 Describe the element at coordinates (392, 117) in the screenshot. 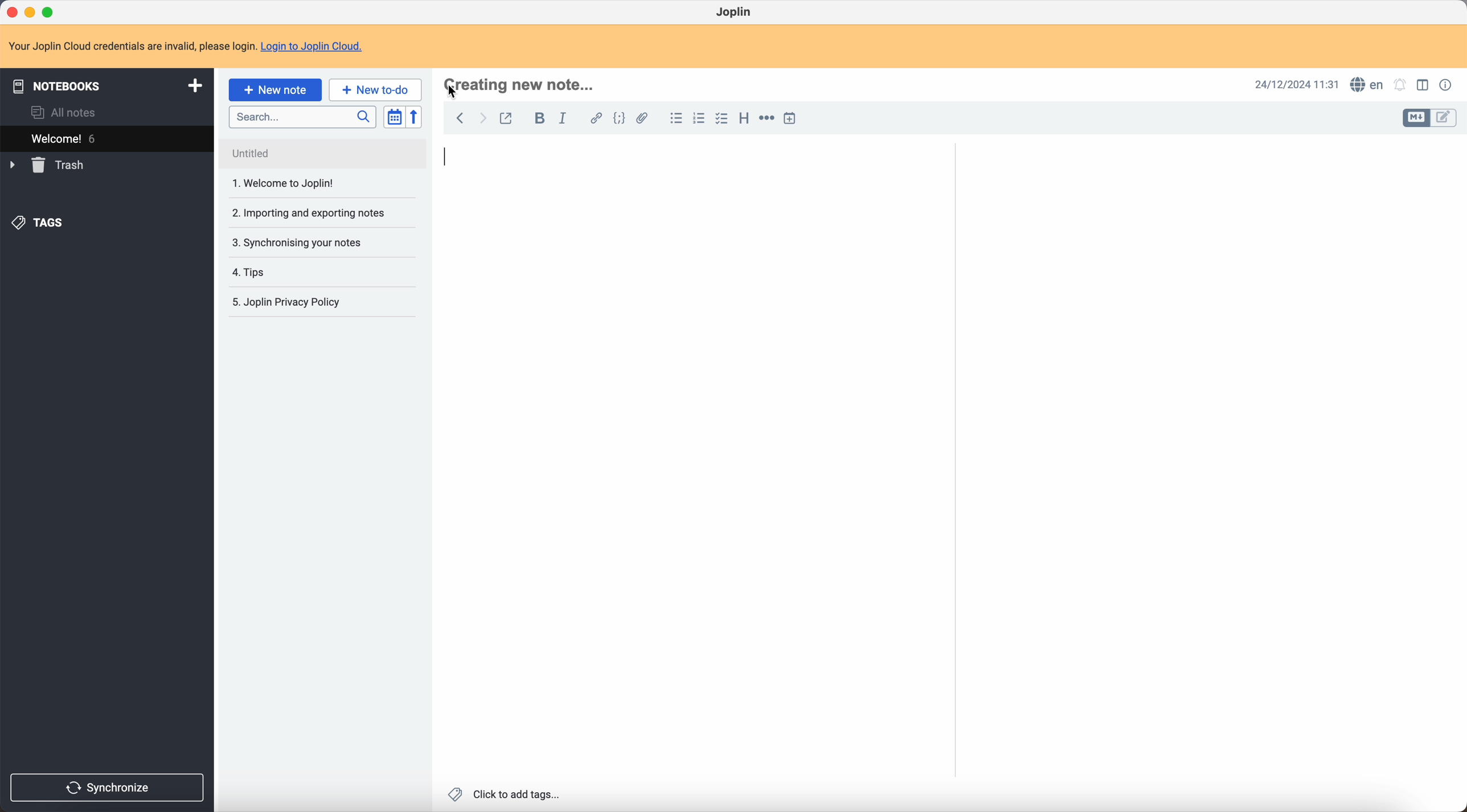

I see `toggle sort order field` at that location.